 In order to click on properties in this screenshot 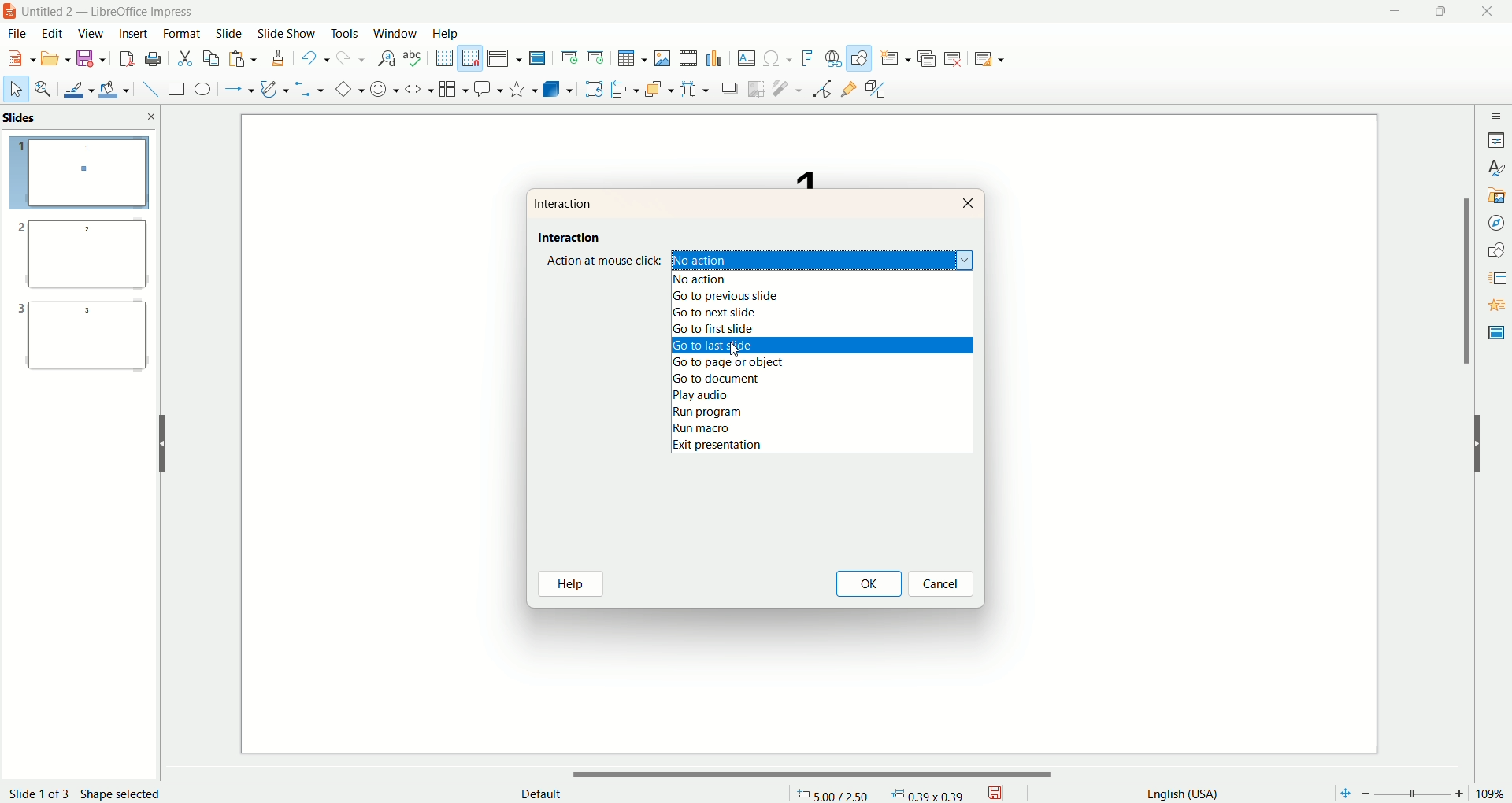, I will do `click(1496, 139)`.